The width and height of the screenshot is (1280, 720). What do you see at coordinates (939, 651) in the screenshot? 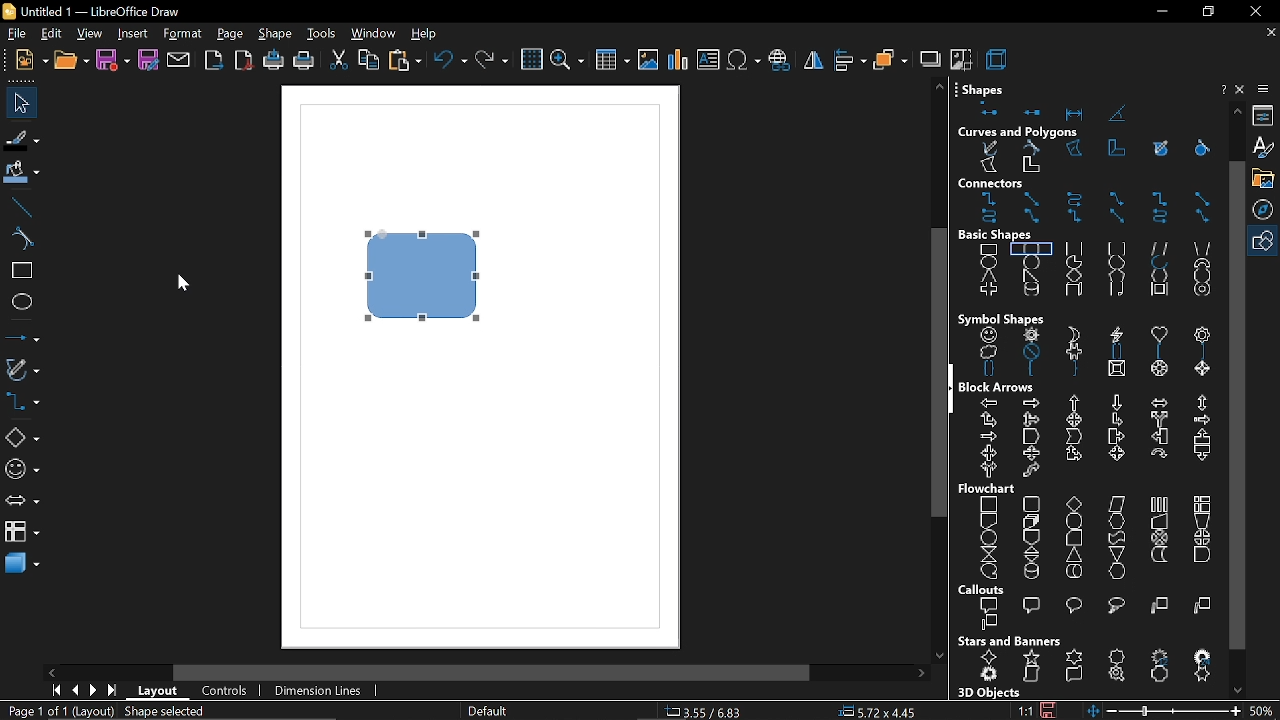
I see `scroll down` at bounding box center [939, 651].